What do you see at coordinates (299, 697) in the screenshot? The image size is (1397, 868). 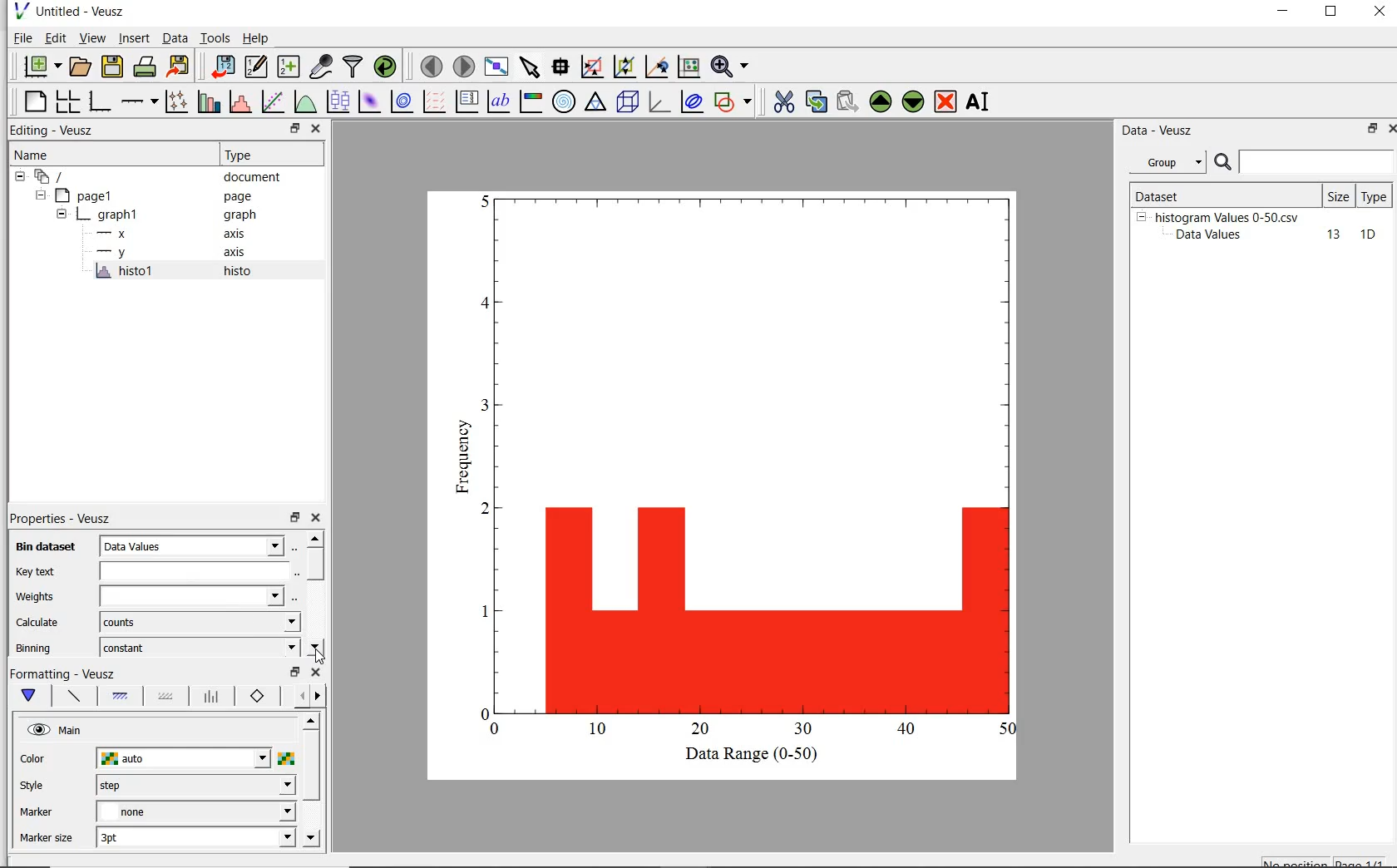 I see `previous ` at bounding box center [299, 697].